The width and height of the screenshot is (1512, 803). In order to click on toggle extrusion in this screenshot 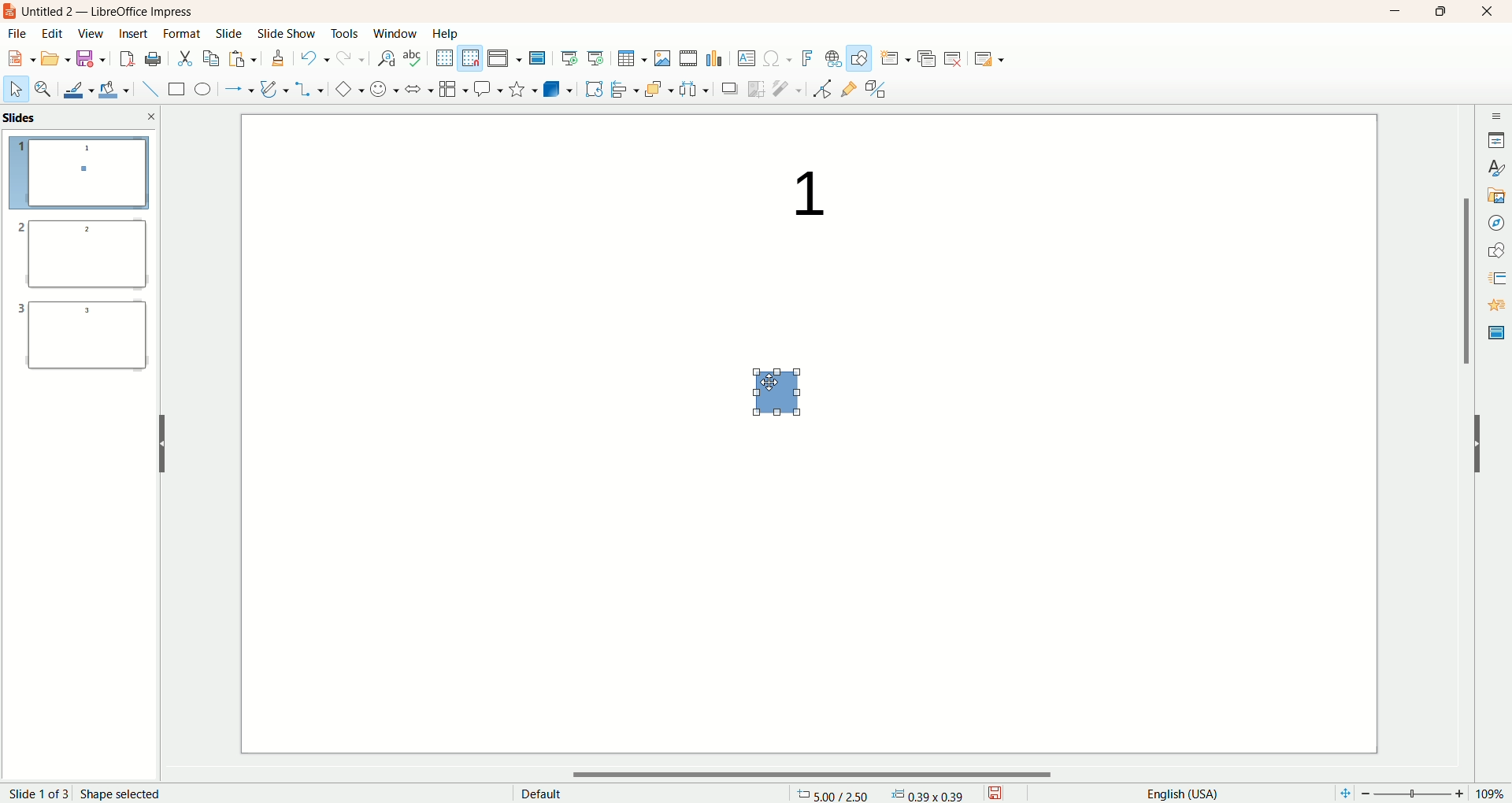, I will do `click(879, 90)`.